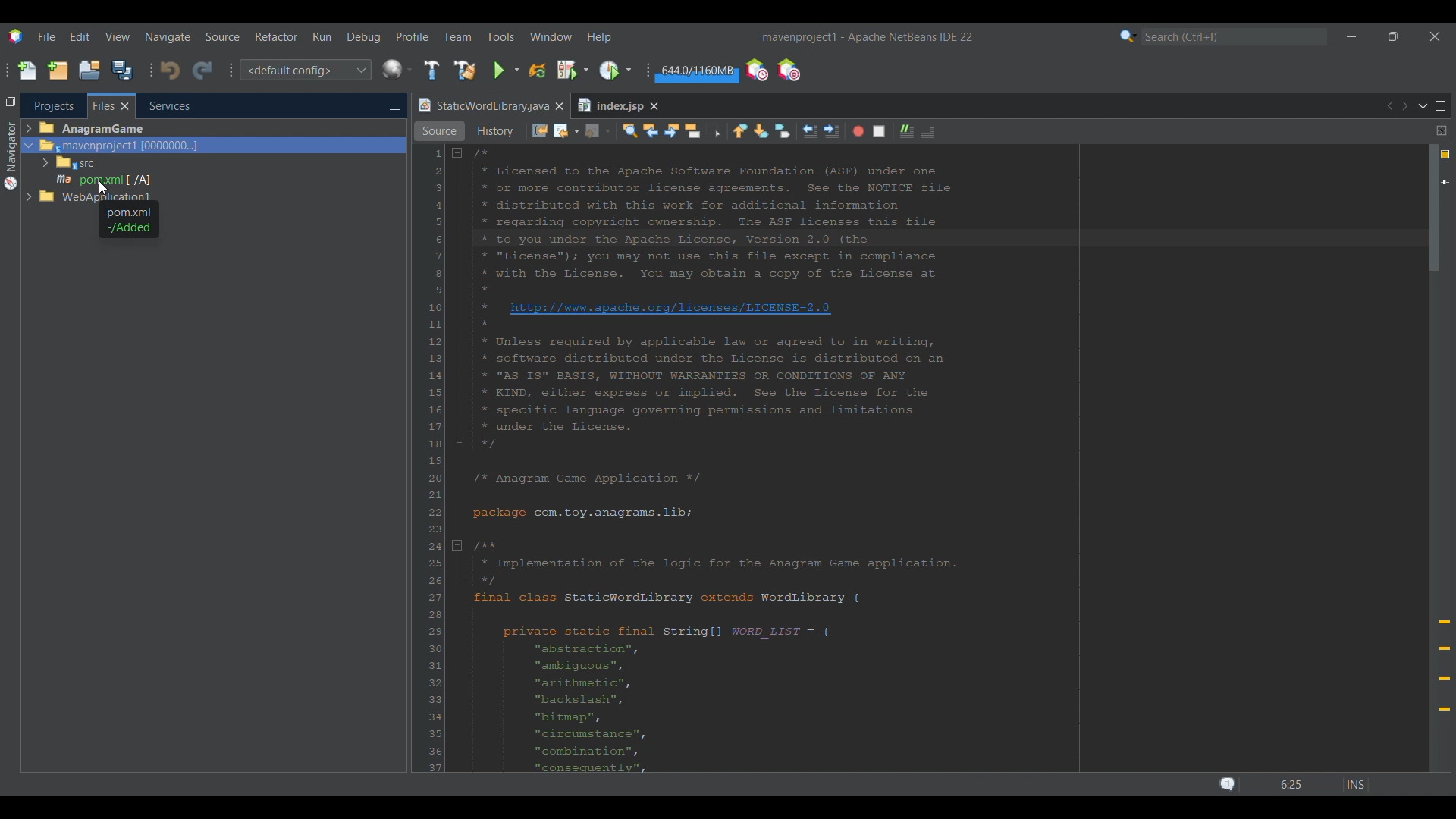 This screenshot has width=1456, height=819. I want to click on File menu, so click(46, 36).